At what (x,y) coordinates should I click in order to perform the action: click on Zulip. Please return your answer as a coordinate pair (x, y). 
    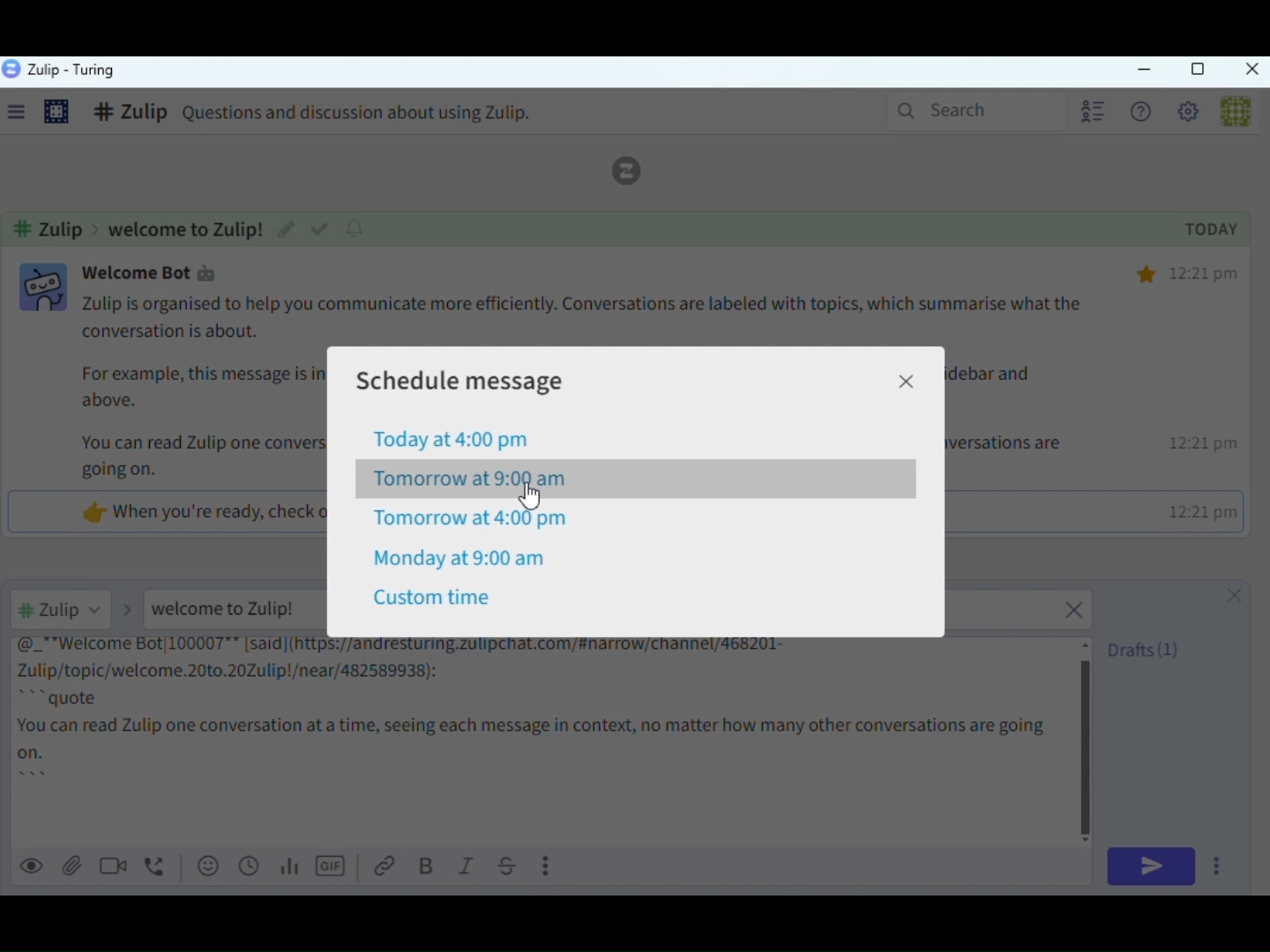
    Looking at the image, I should click on (637, 171).